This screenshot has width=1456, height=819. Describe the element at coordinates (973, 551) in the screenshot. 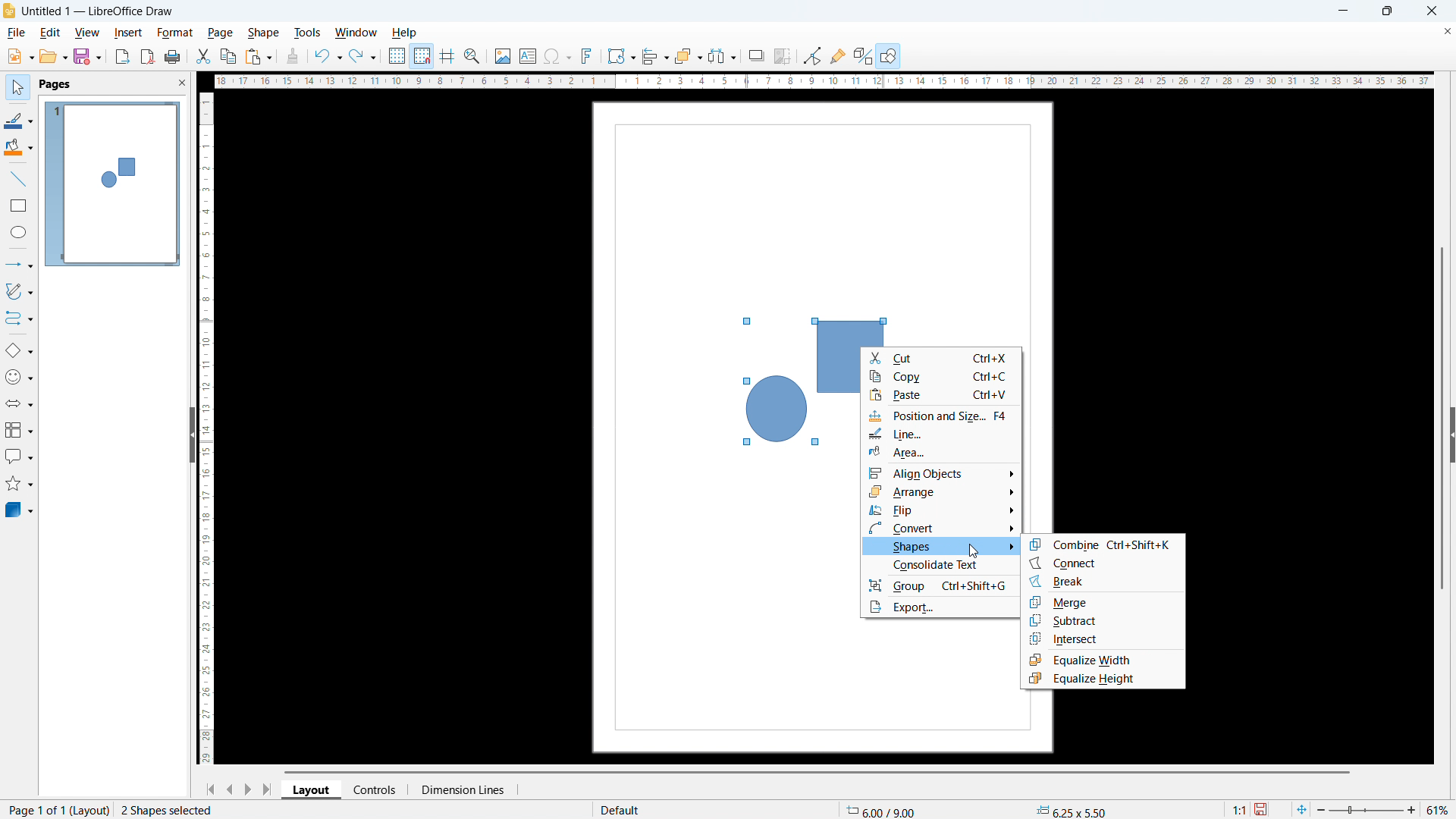

I see `cursor` at that location.